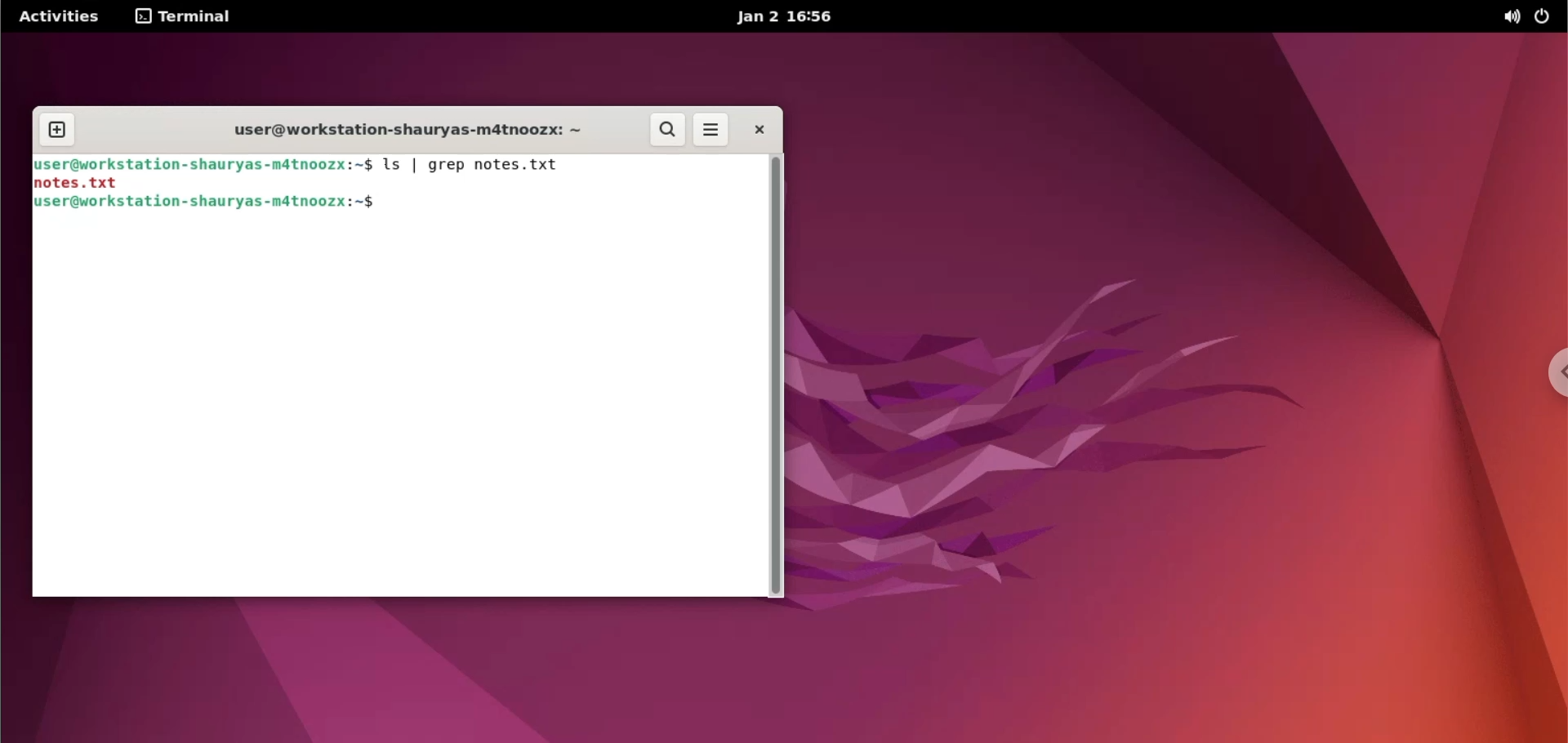 This screenshot has width=1568, height=743. I want to click on Activities, so click(68, 16).